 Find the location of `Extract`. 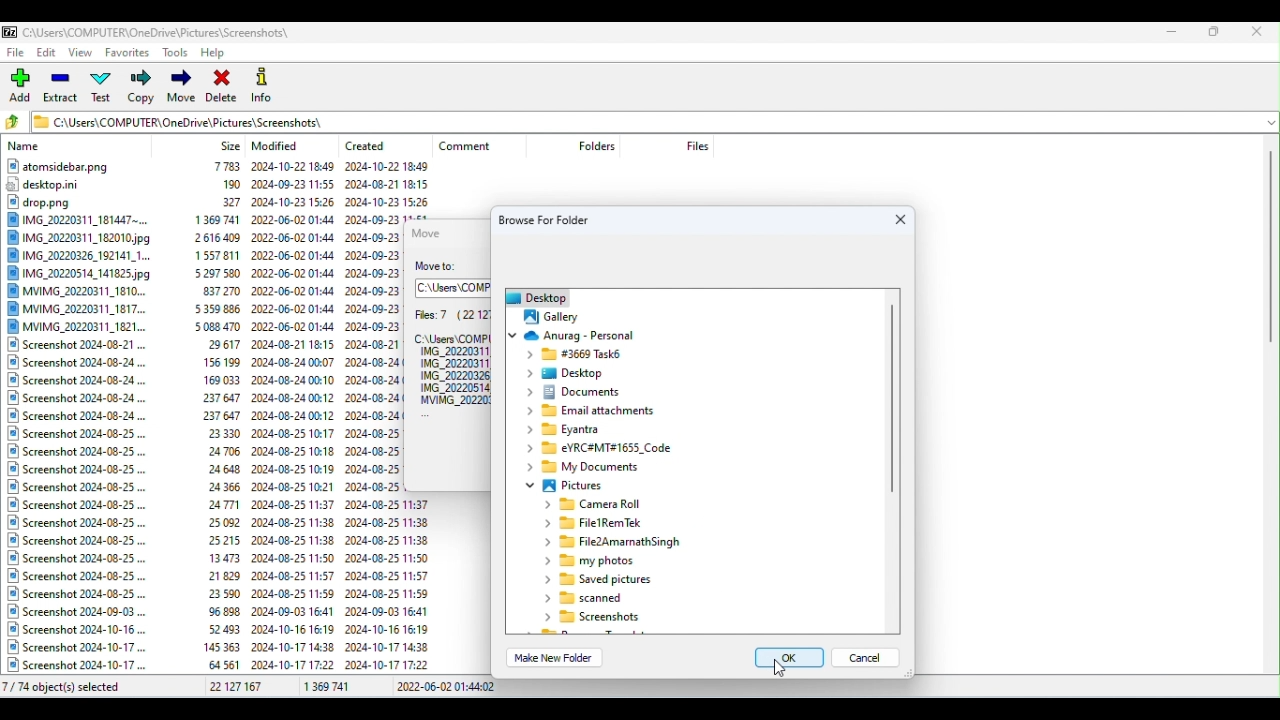

Extract is located at coordinates (62, 89).